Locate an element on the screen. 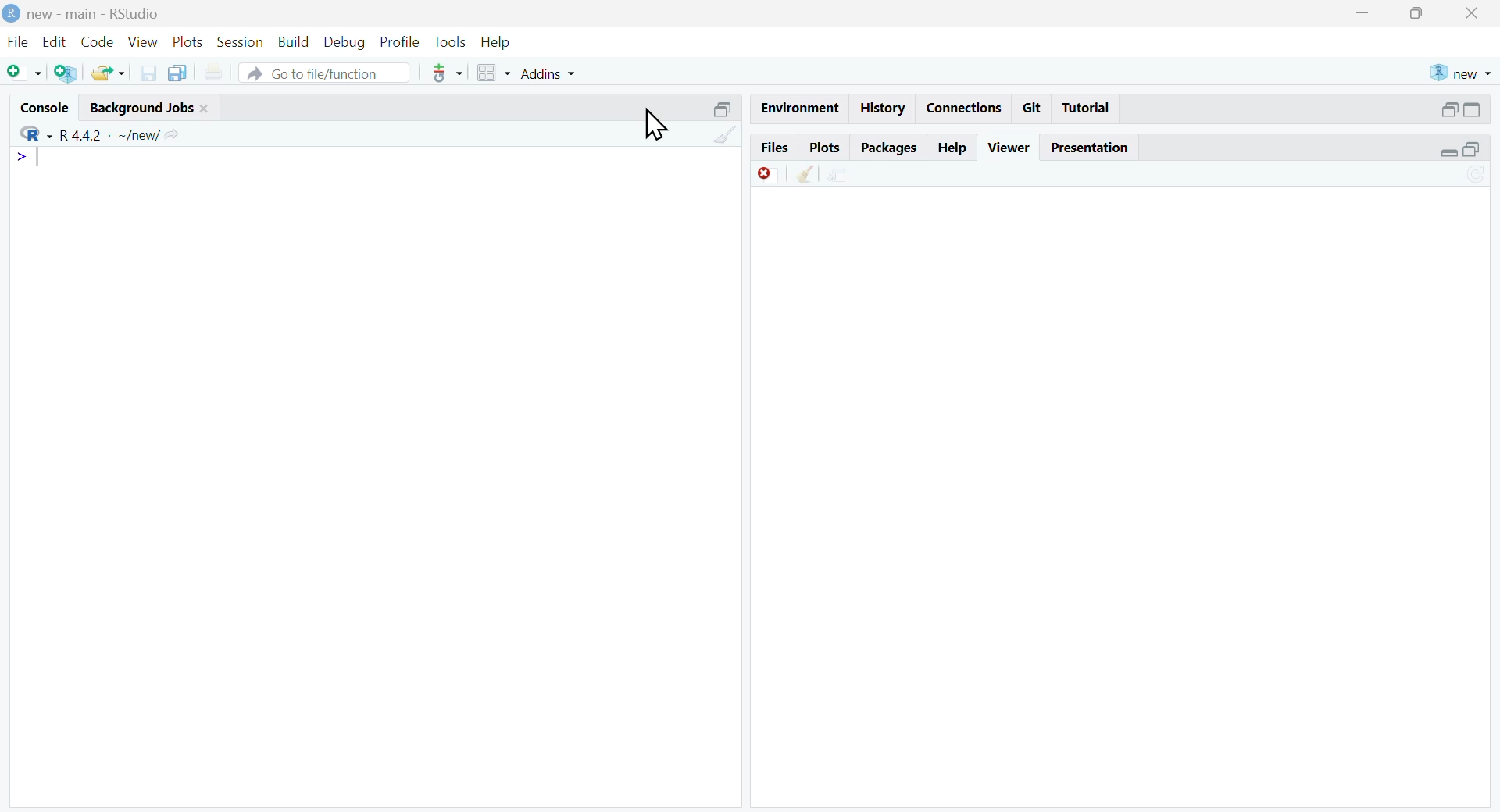 The height and width of the screenshot is (812, 1500). print is located at coordinates (216, 72).